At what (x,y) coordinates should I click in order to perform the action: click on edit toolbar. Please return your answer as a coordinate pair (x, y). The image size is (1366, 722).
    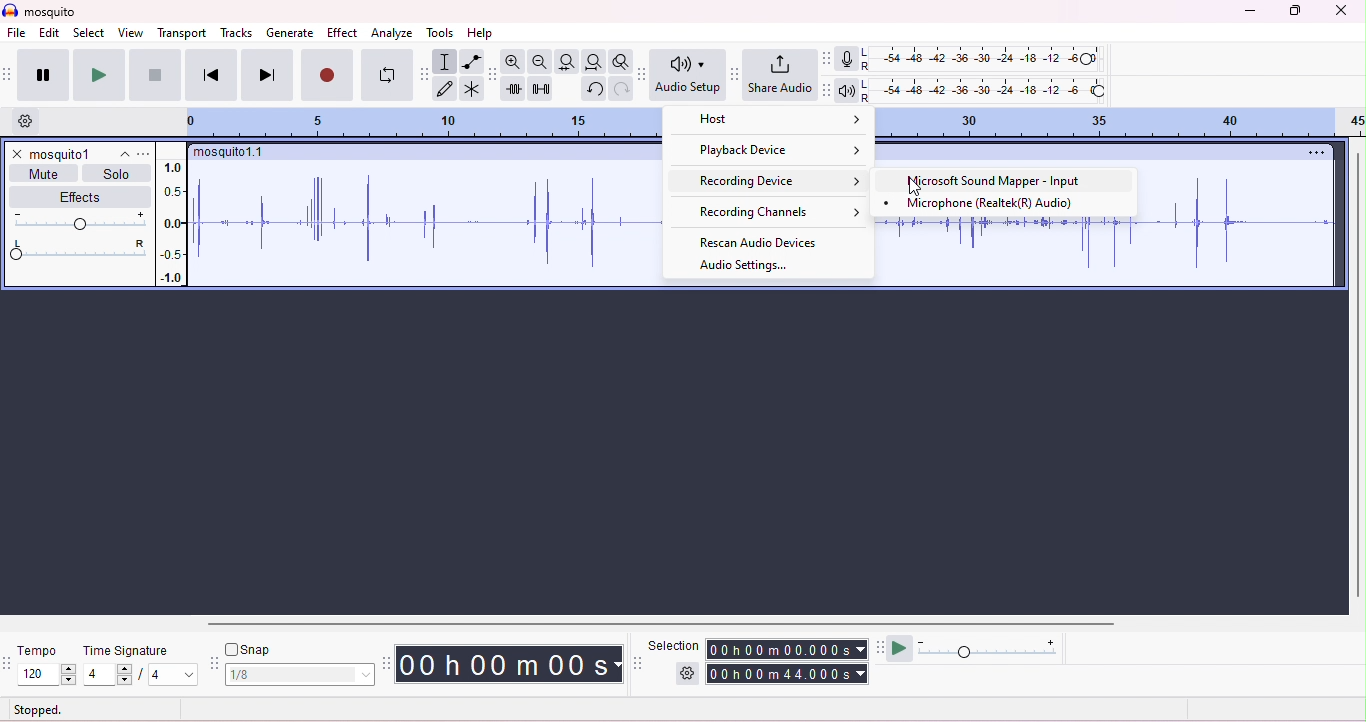
    Looking at the image, I should click on (493, 75).